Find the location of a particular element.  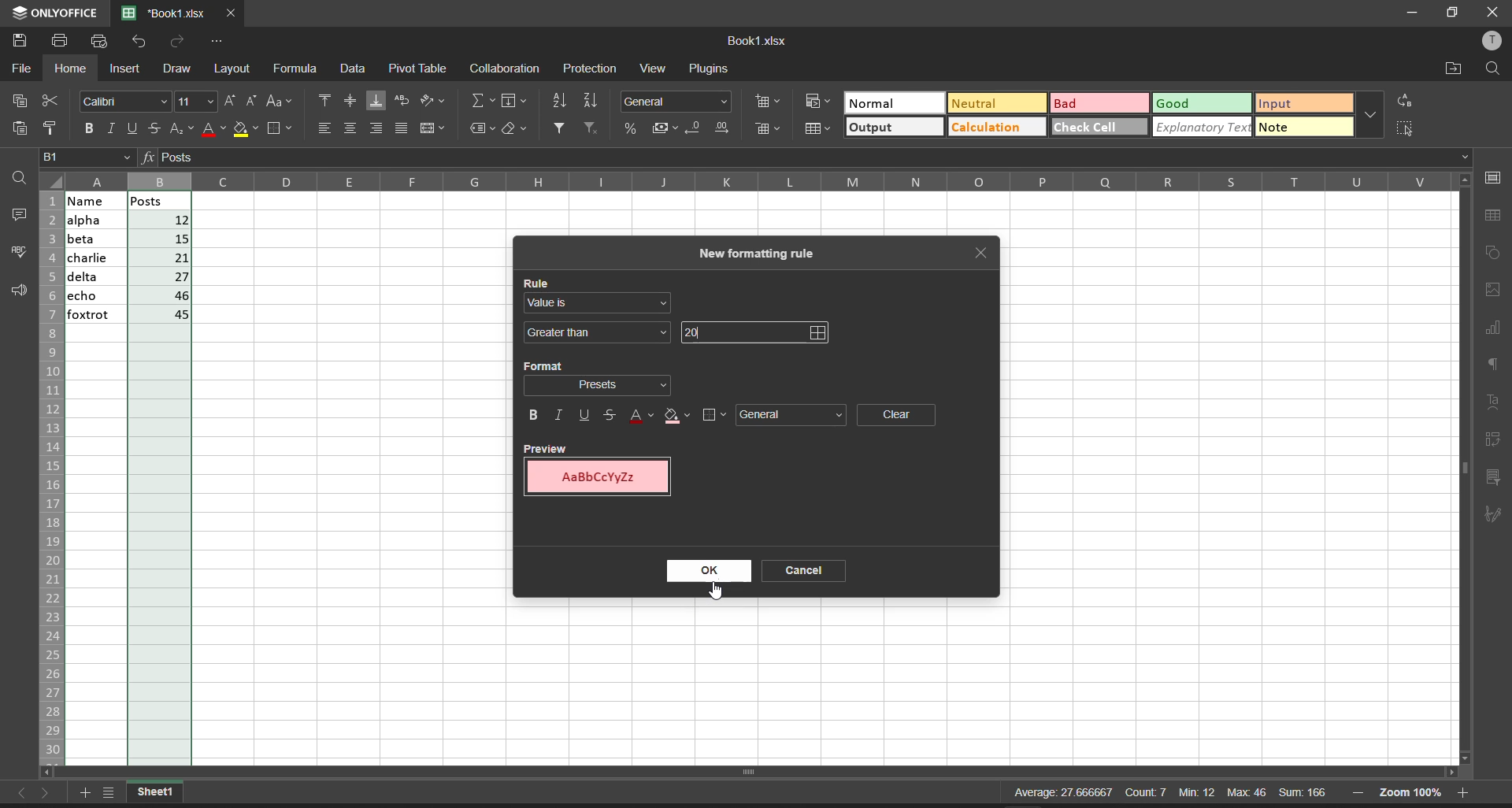

text color is located at coordinates (642, 417).